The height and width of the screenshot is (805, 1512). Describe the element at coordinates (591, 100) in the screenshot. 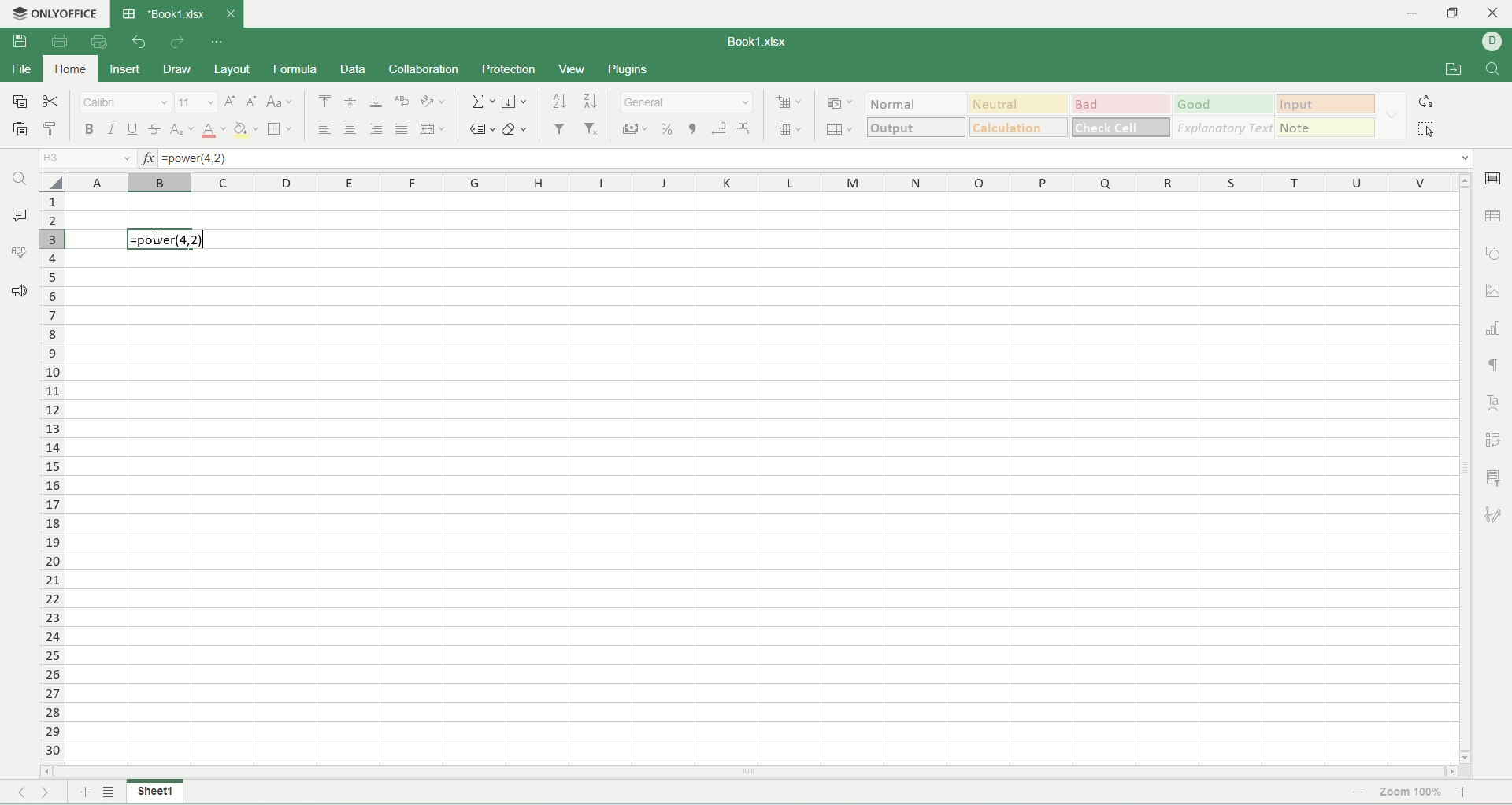

I see `sort descending` at that location.